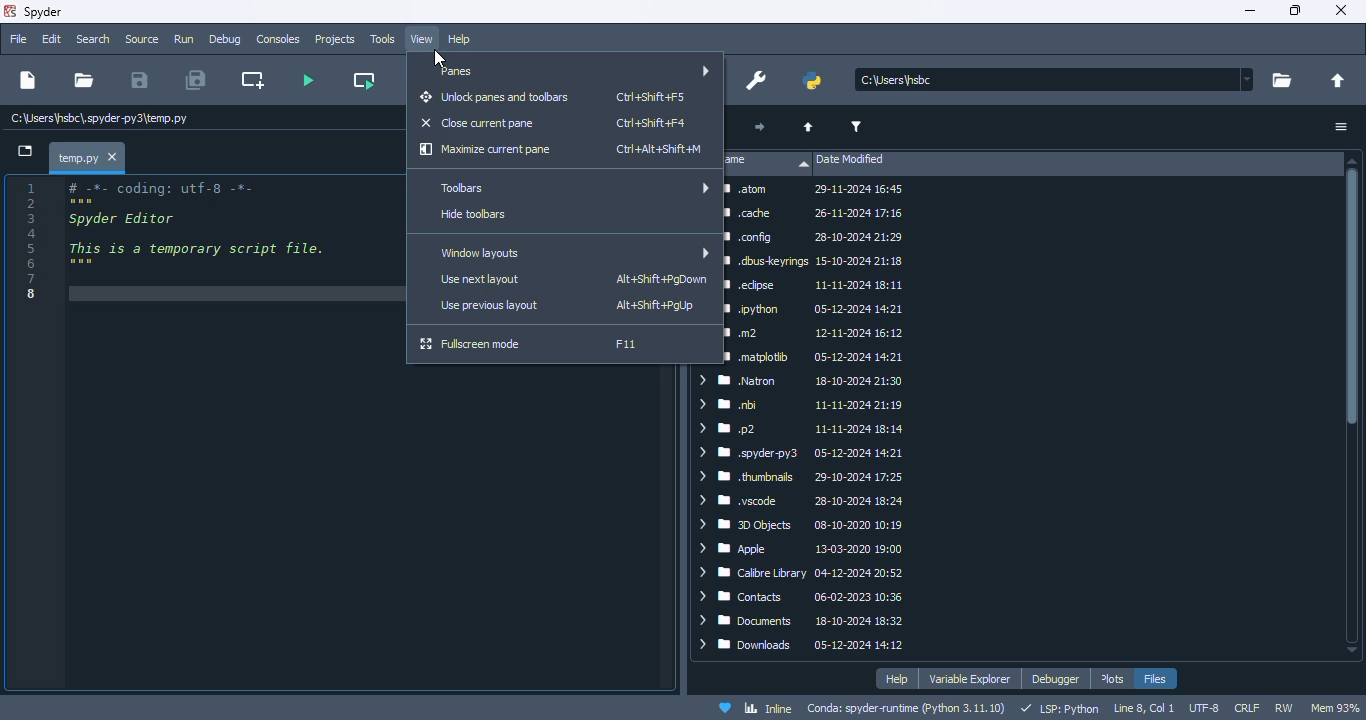  What do you see at coordinates (970, 680) in the screenshot?
I see `variable explorer` at bounding box center [970, 680].